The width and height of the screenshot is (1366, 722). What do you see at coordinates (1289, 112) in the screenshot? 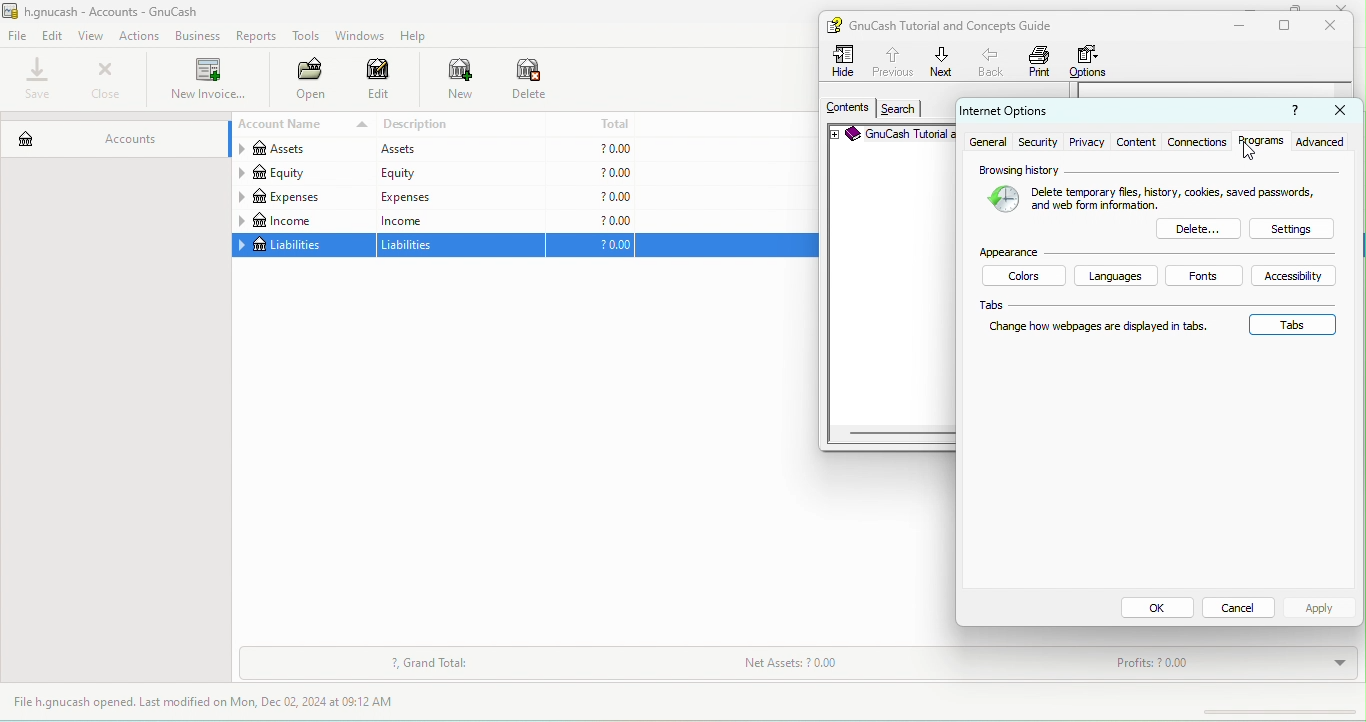
I see `?` at bounding box center [1289, 112].